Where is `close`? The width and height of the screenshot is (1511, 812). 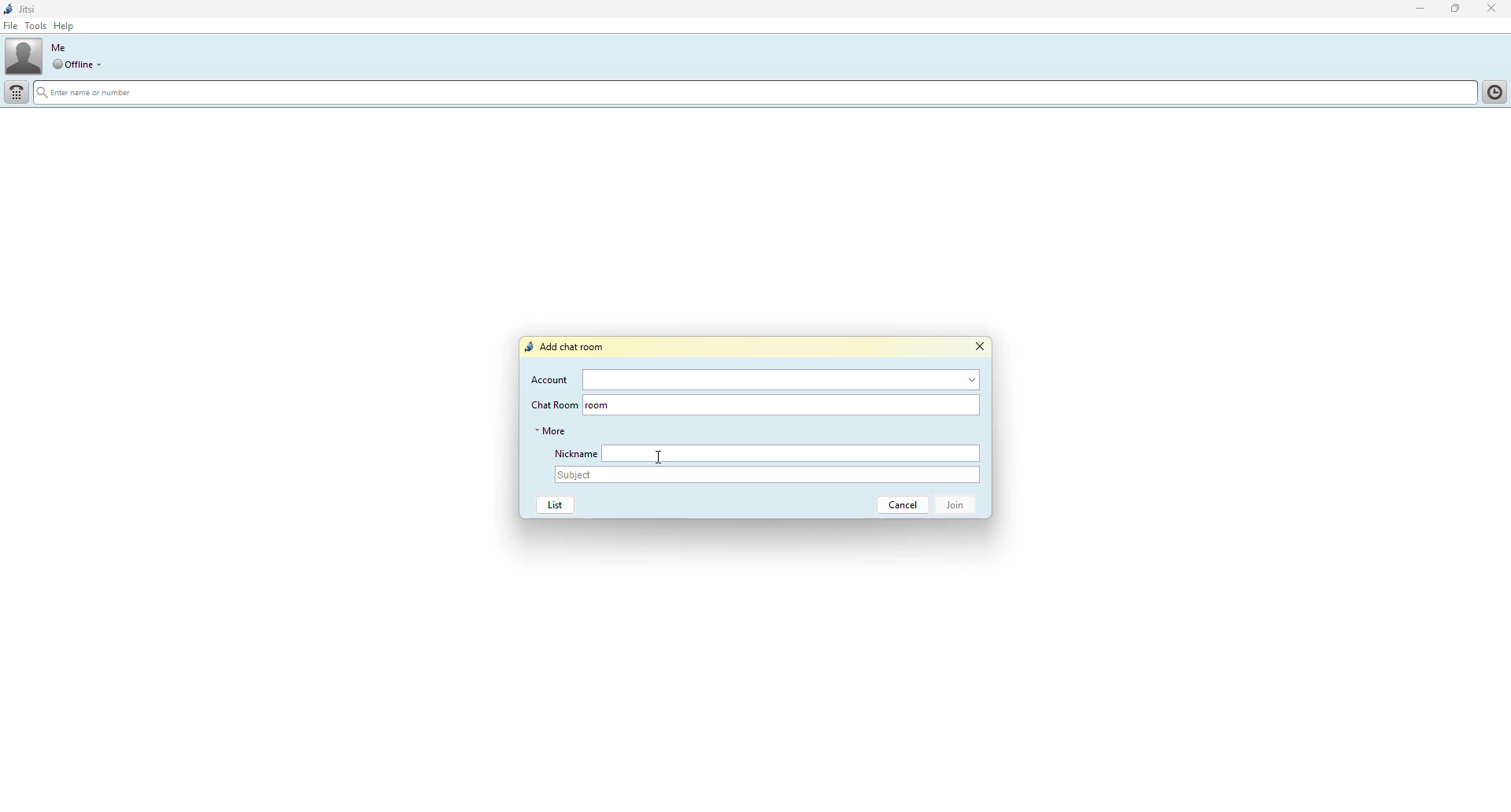 close is located at coordinates (1494, 8).